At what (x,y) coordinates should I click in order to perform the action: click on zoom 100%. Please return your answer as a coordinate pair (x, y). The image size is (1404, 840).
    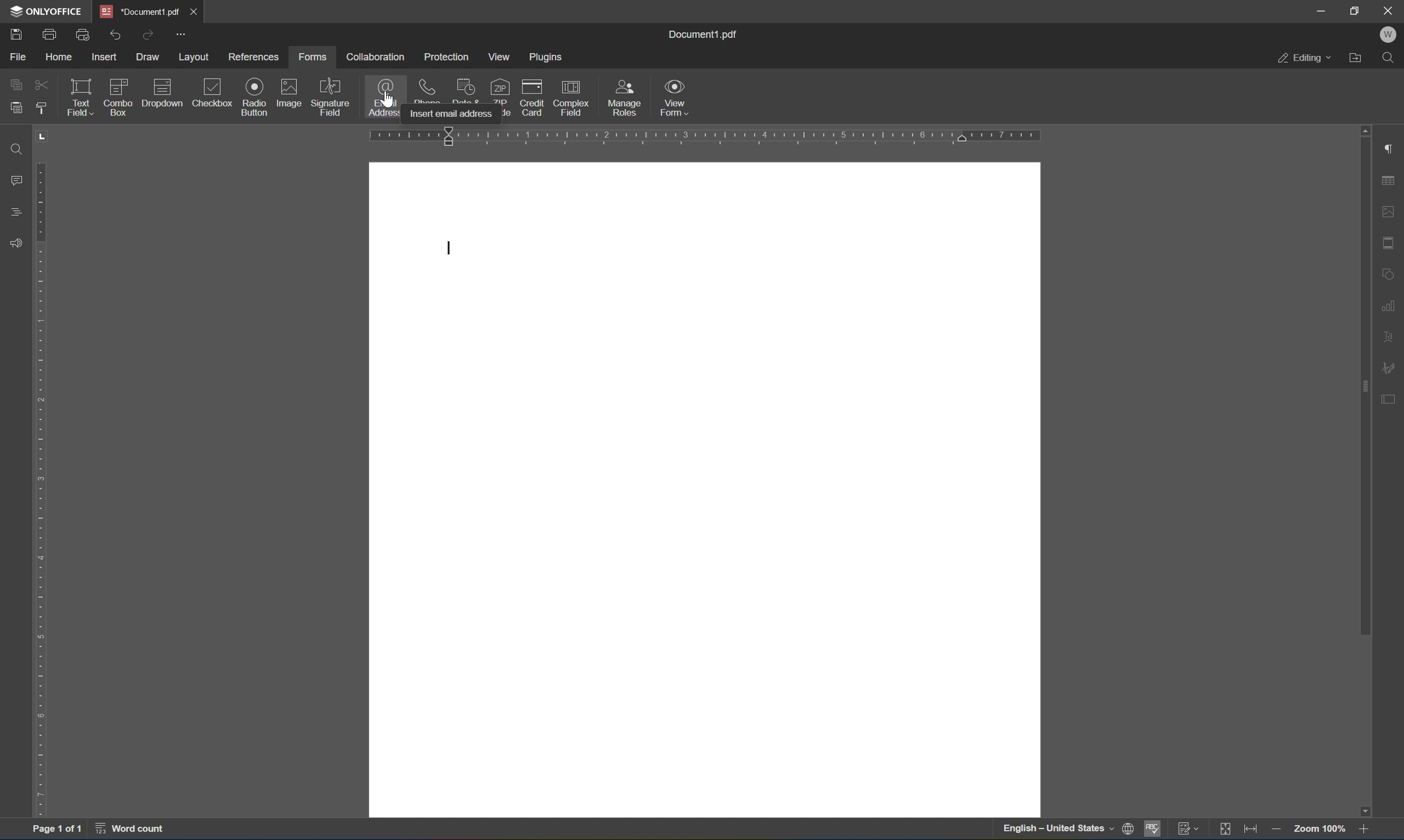
    Looking at the image, I should click on (1318, 831).